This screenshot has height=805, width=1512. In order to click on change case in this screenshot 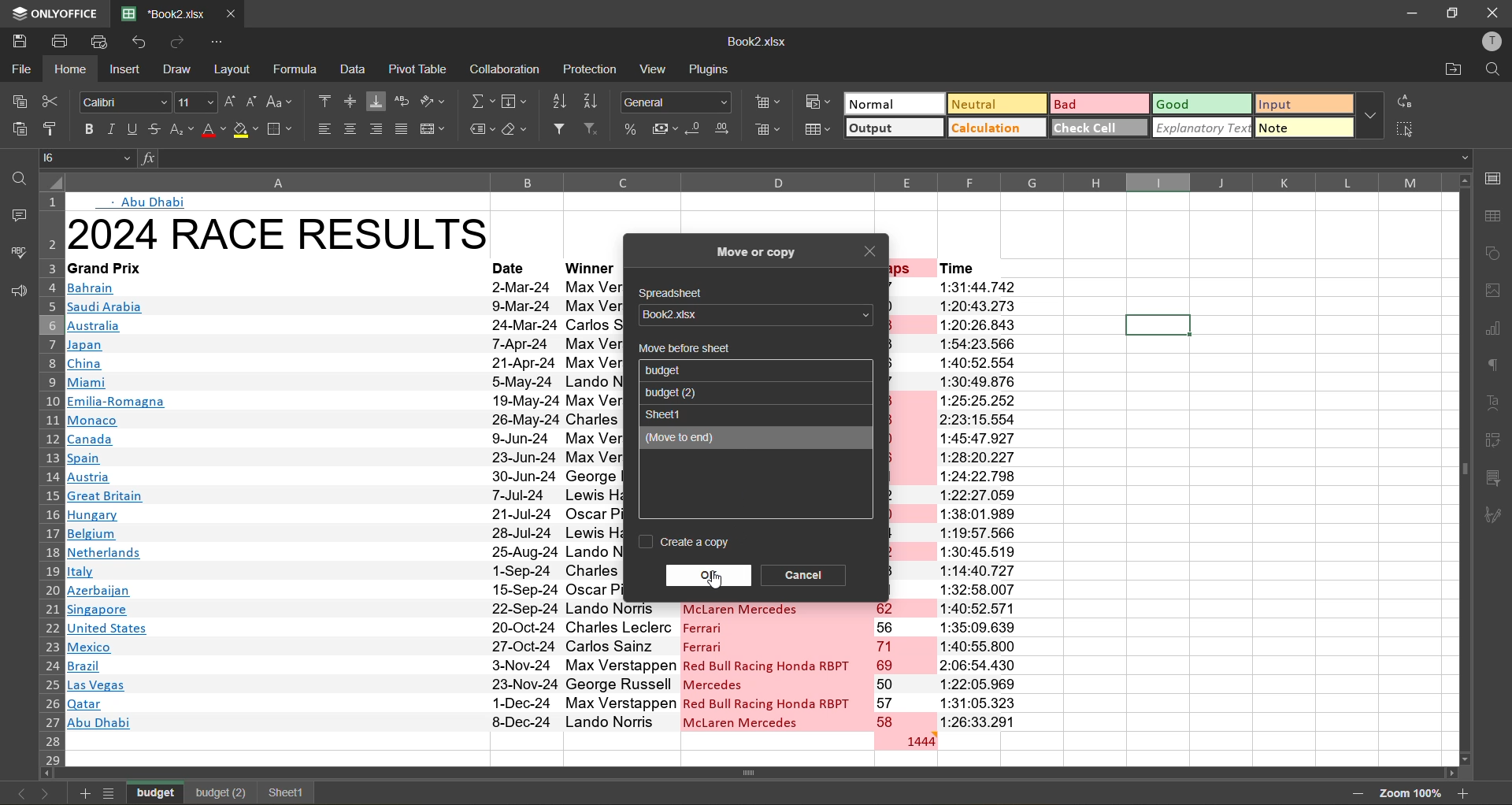, I will do `click(283, 101)`.